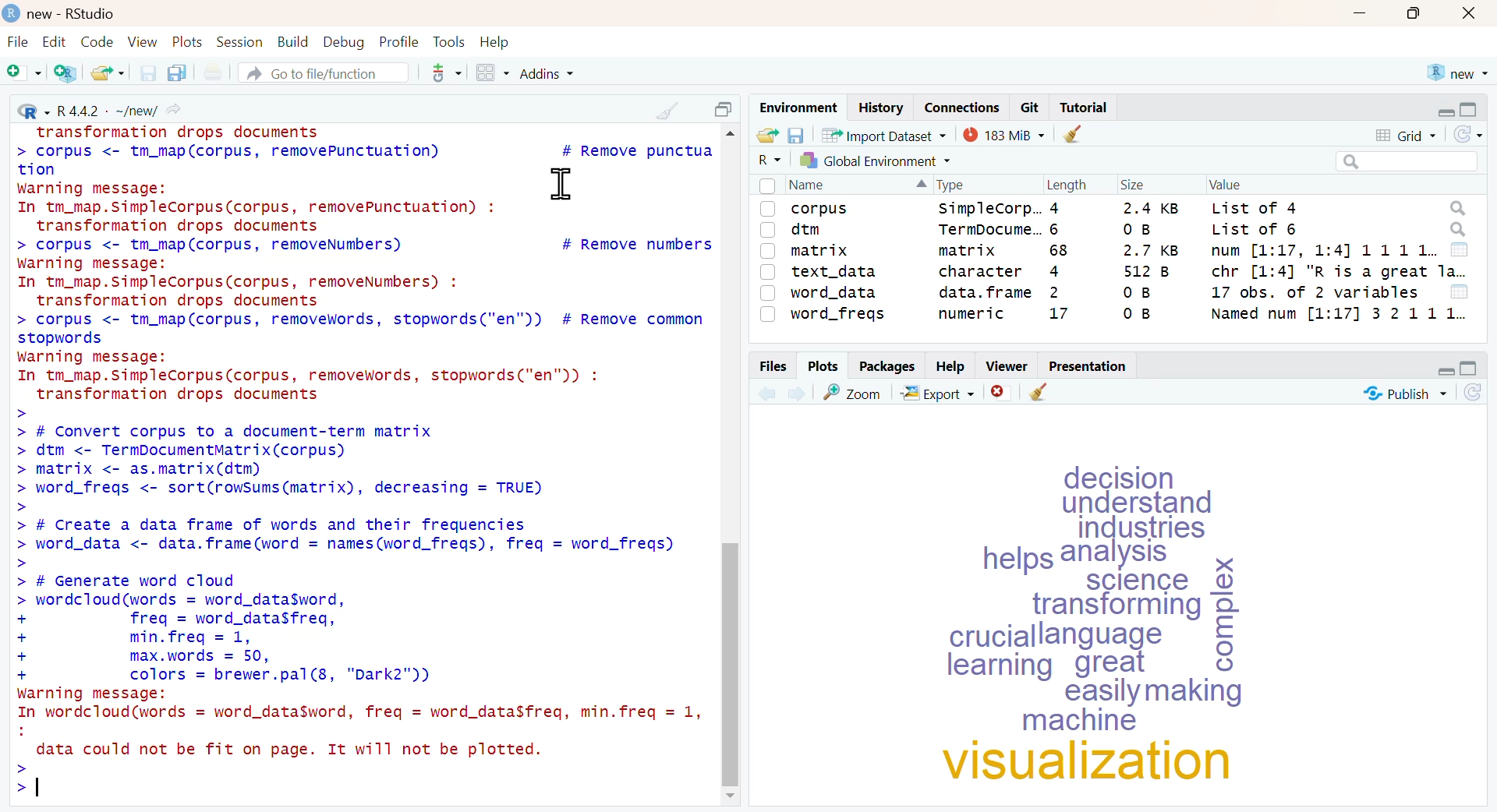 The height and width of the screenshot is (812, 1497). What do you see at coordinates (1117, 475) in the screenshot?
I see `decision` at bounding box center [1117, 475].